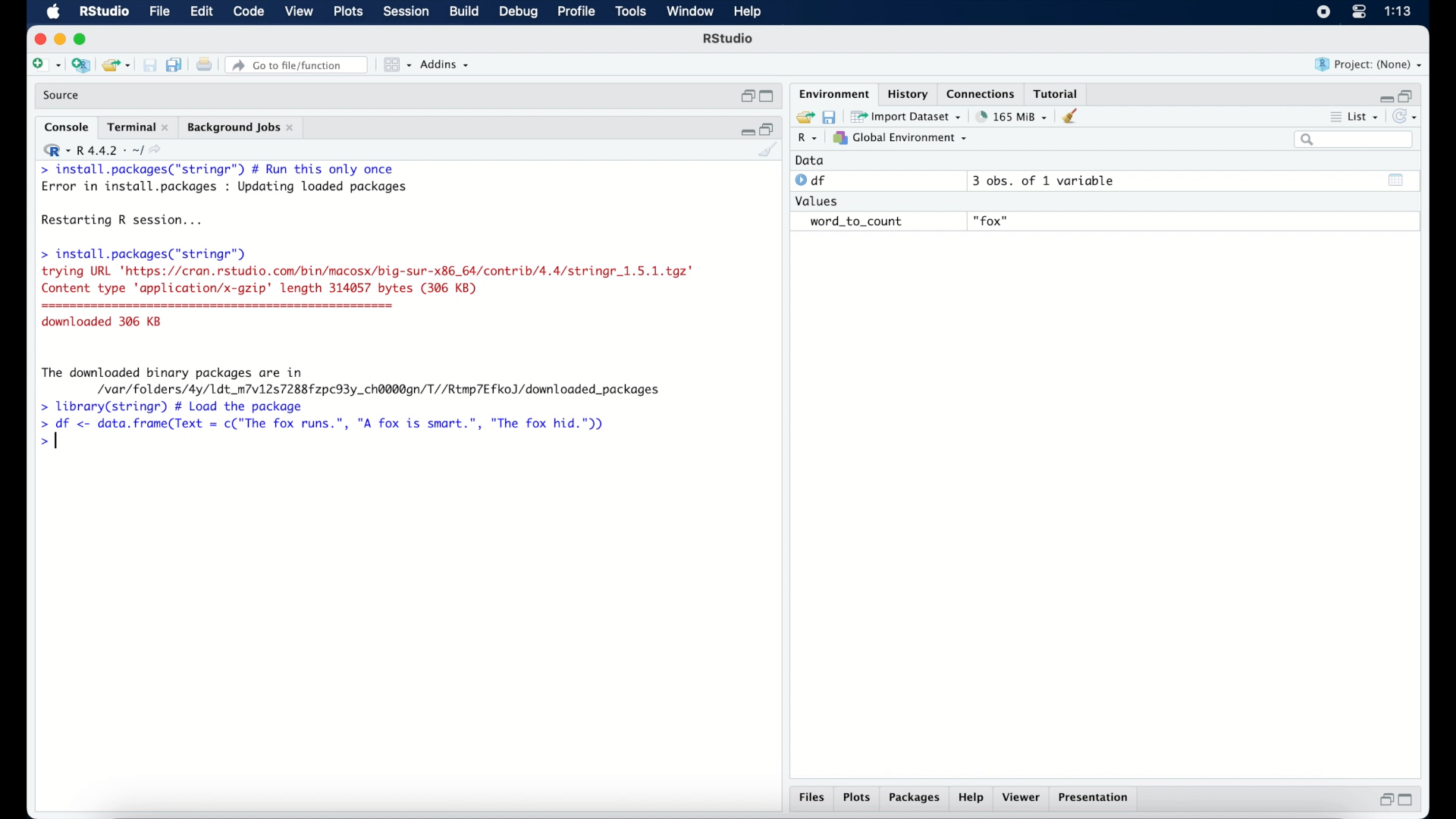 Image resolution: width=1456 pixels, height=819 pixels. I want to click on files, so click(814, 798).